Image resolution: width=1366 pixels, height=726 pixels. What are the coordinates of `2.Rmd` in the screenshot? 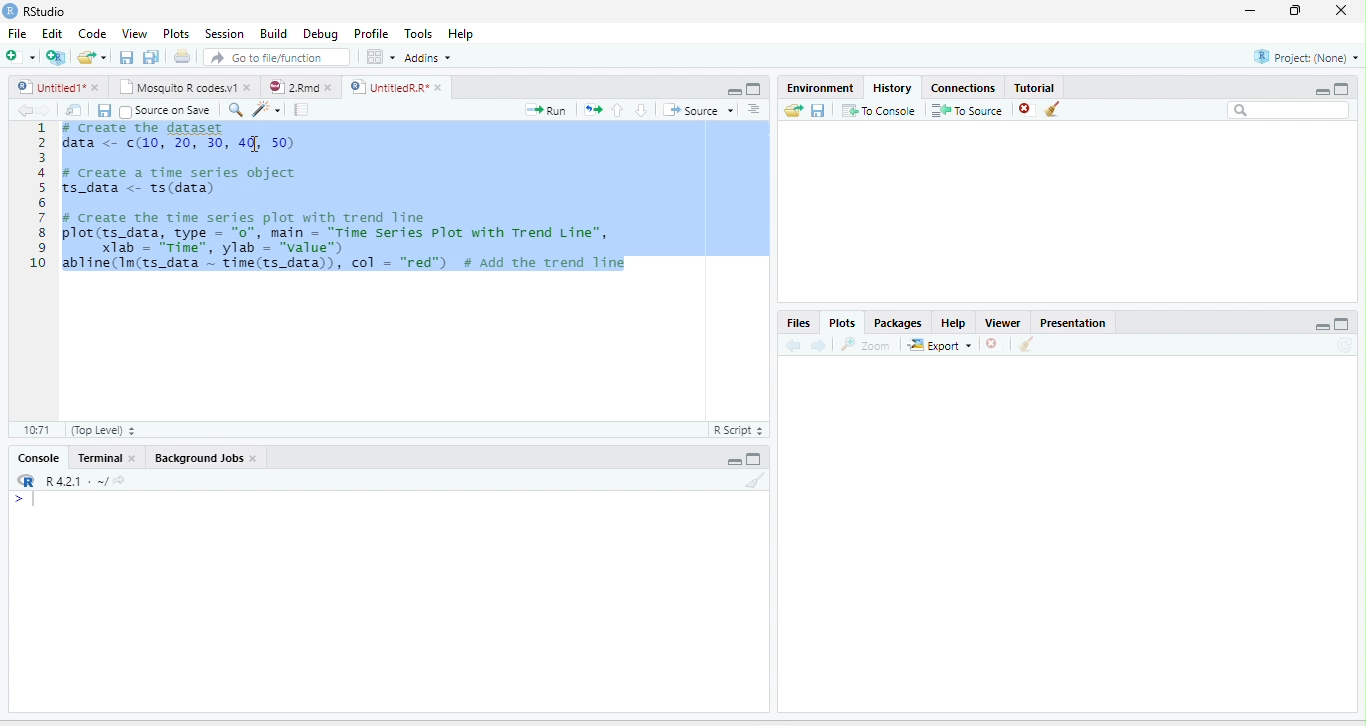 It's located at (291, 87).